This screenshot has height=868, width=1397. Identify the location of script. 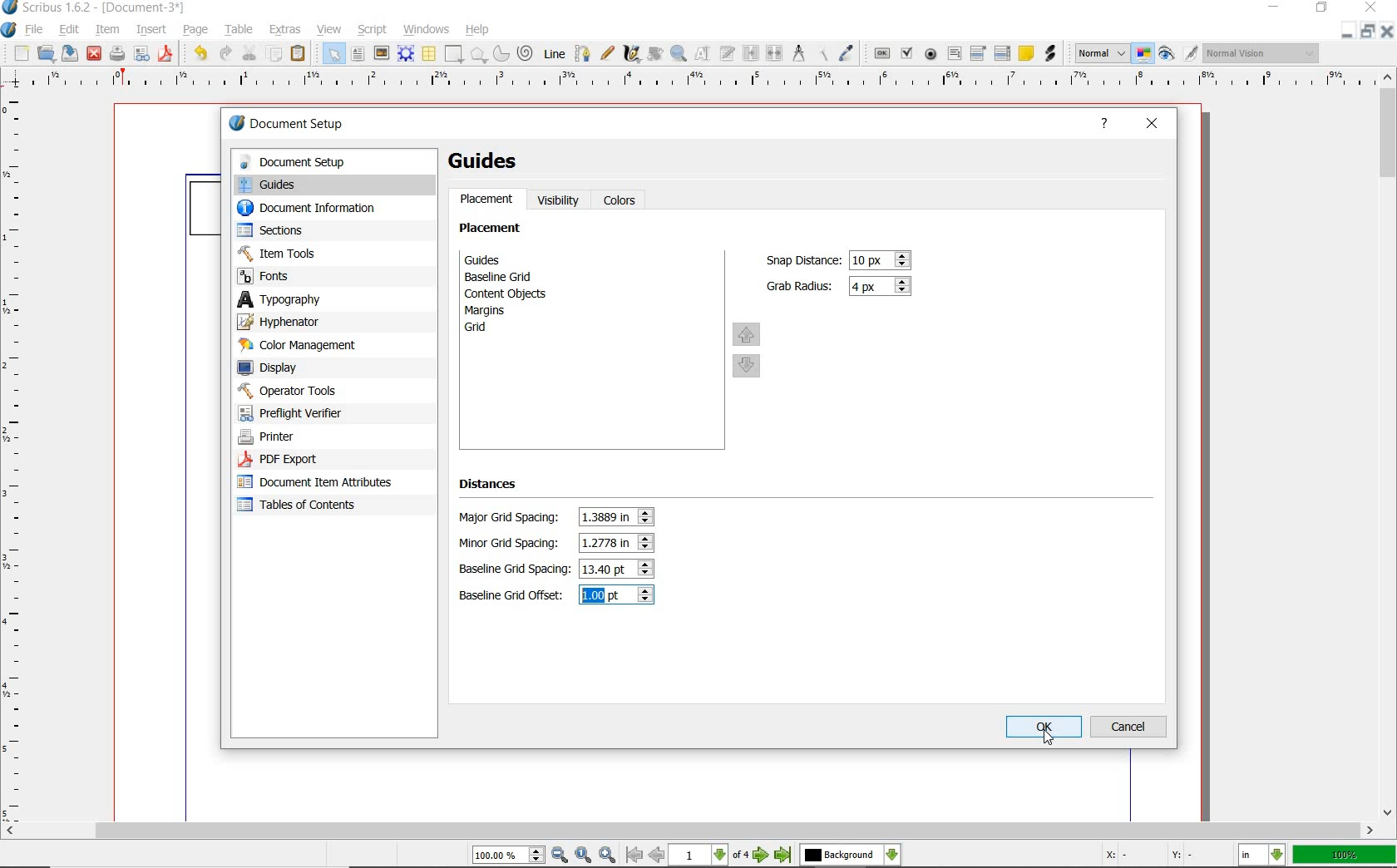
(373, 29).